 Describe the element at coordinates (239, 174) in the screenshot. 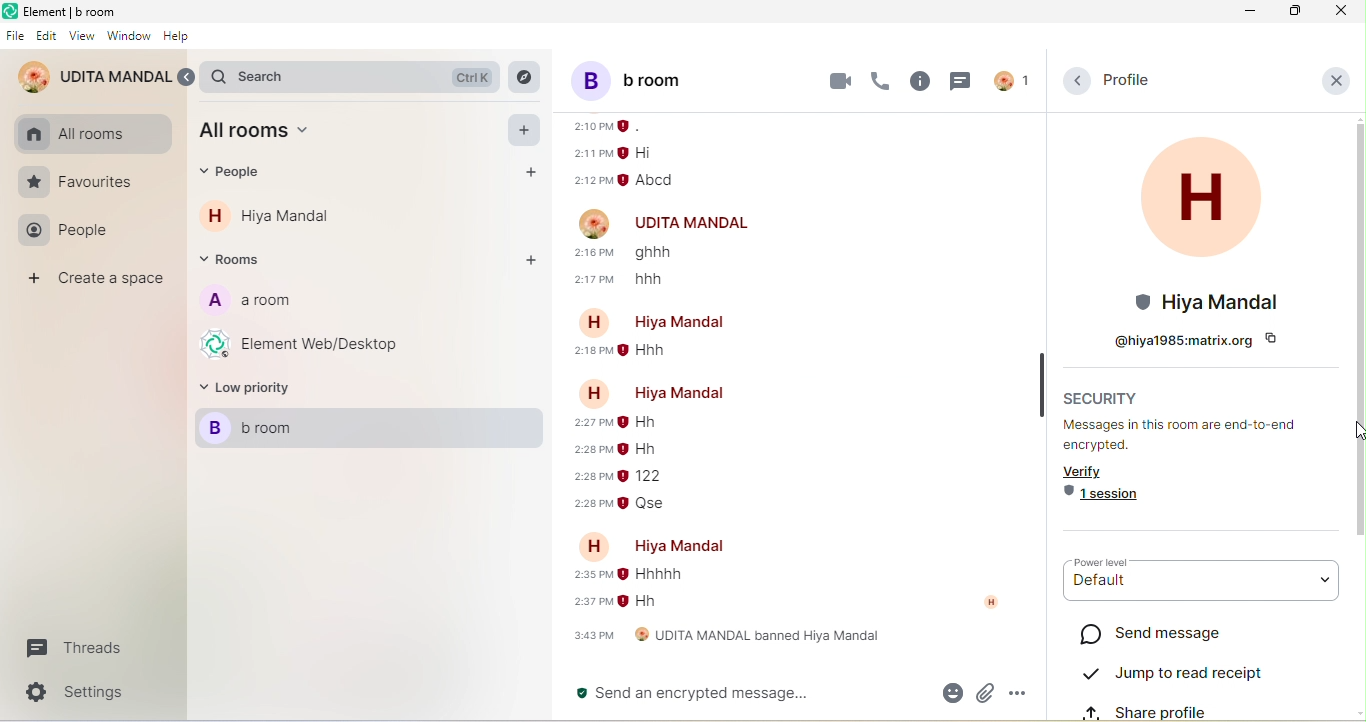

I see `people` at that location.